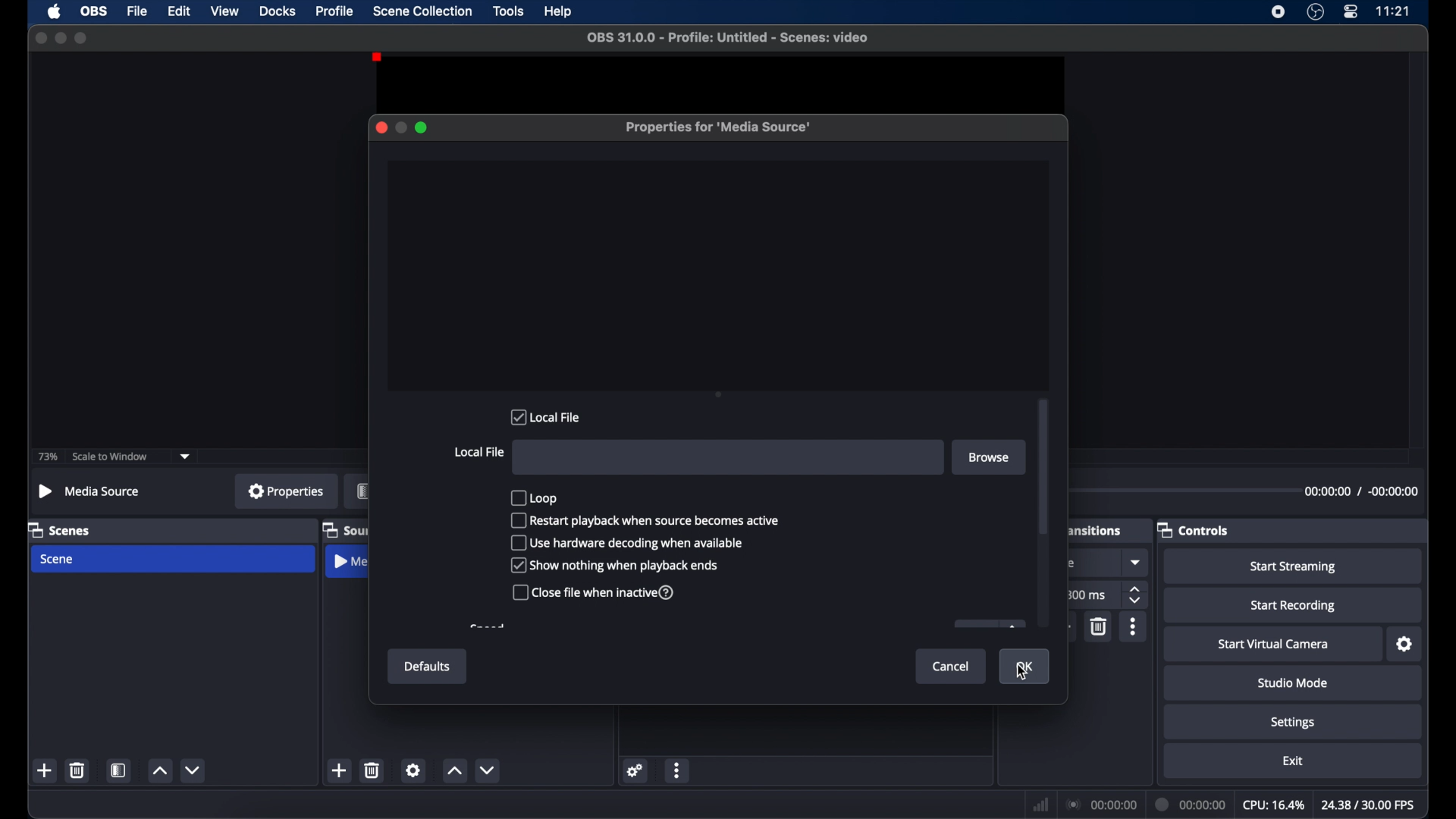  What do you see at coordinates (89, 491) in the screenshot?
I see `no source selected` at bounding box center [89, 491].